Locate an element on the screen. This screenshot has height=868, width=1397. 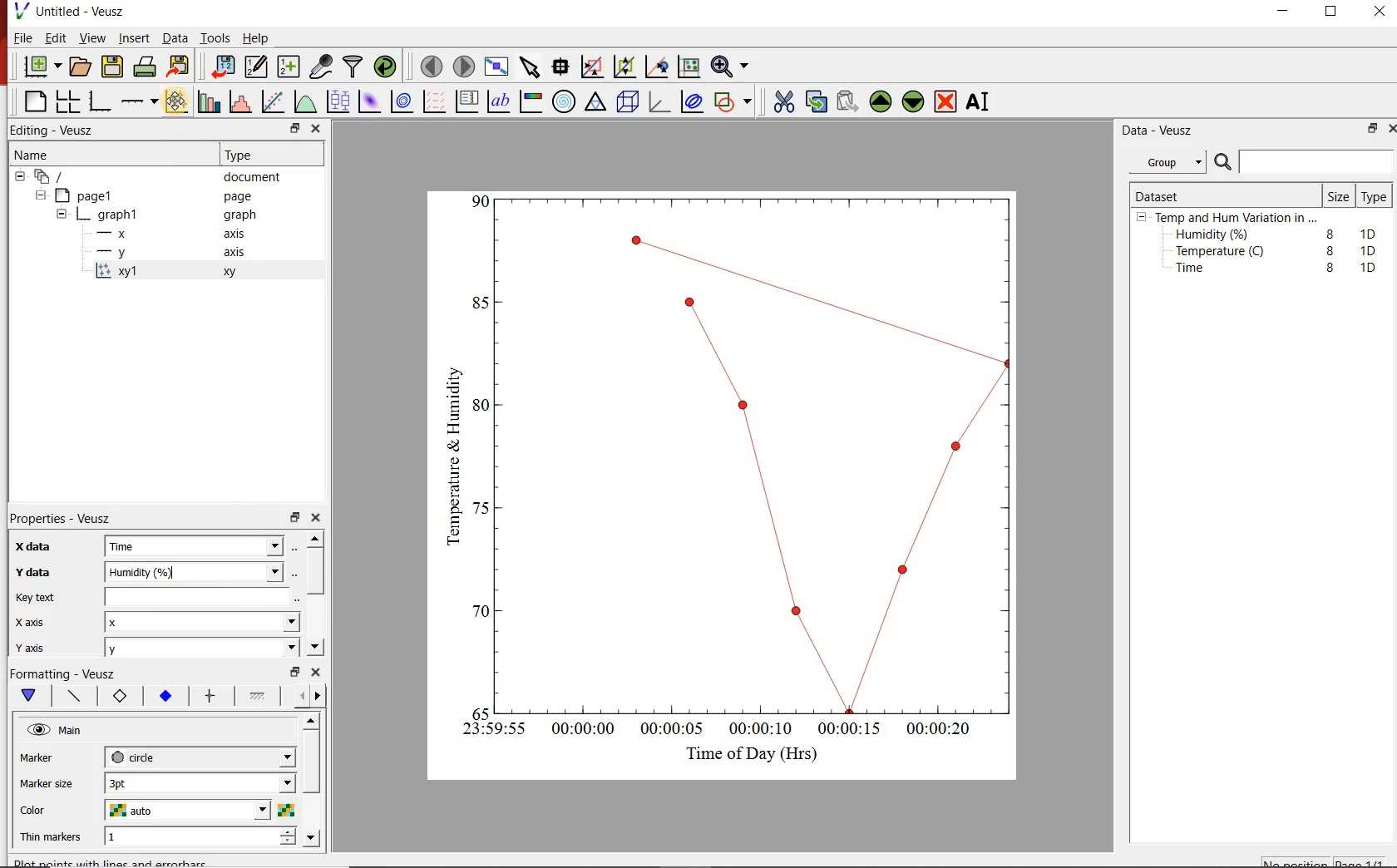
plot key is located at coordinates (470, 101).